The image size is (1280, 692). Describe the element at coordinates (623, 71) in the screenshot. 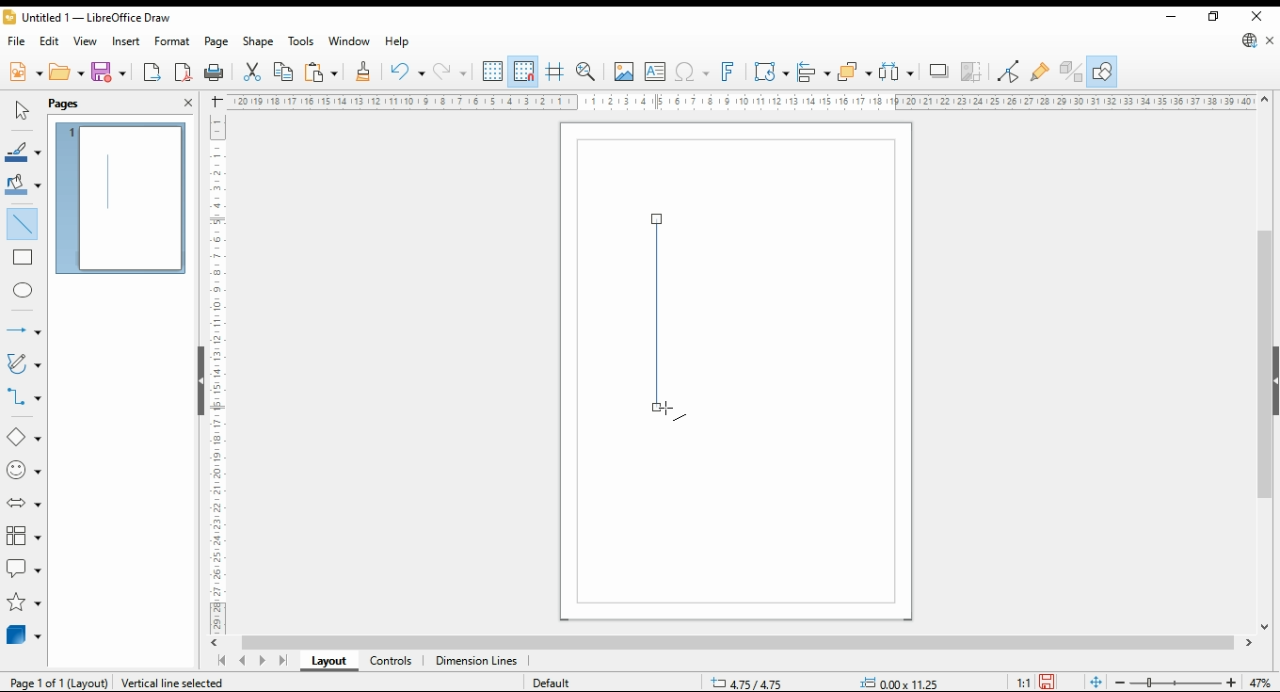

I see `insert image` at that location.